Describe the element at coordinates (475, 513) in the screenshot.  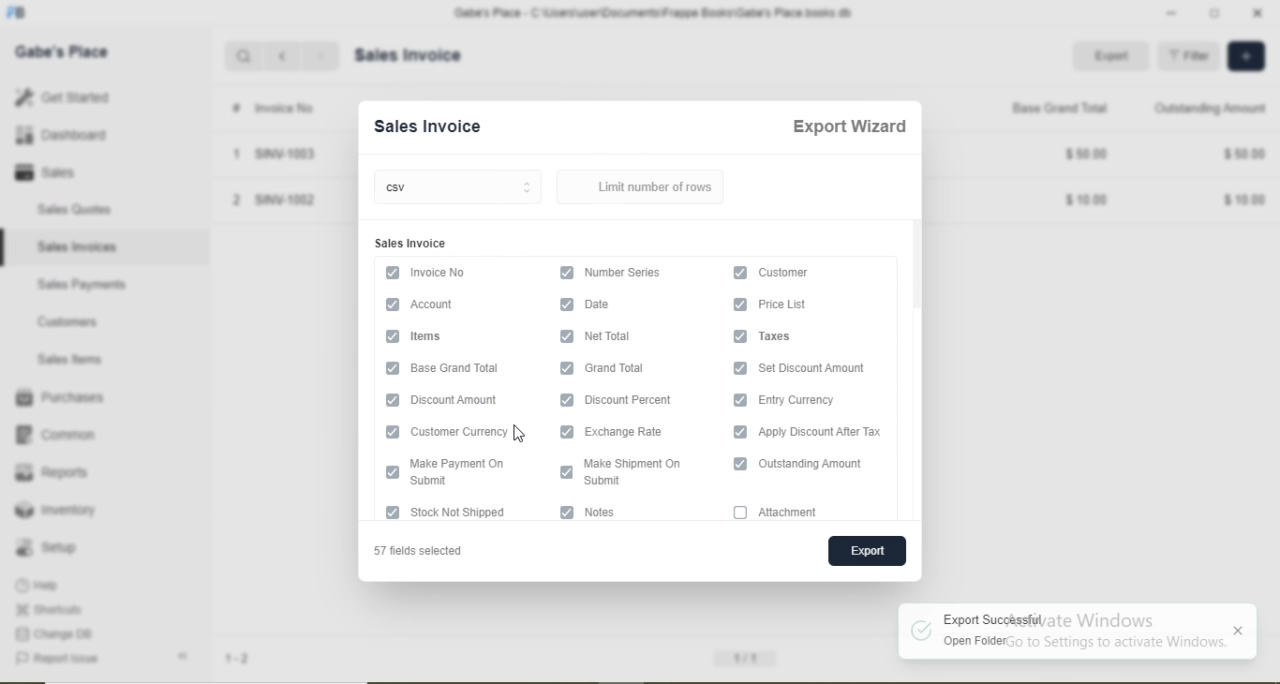
I see `Stock Not Shipped` at that location.